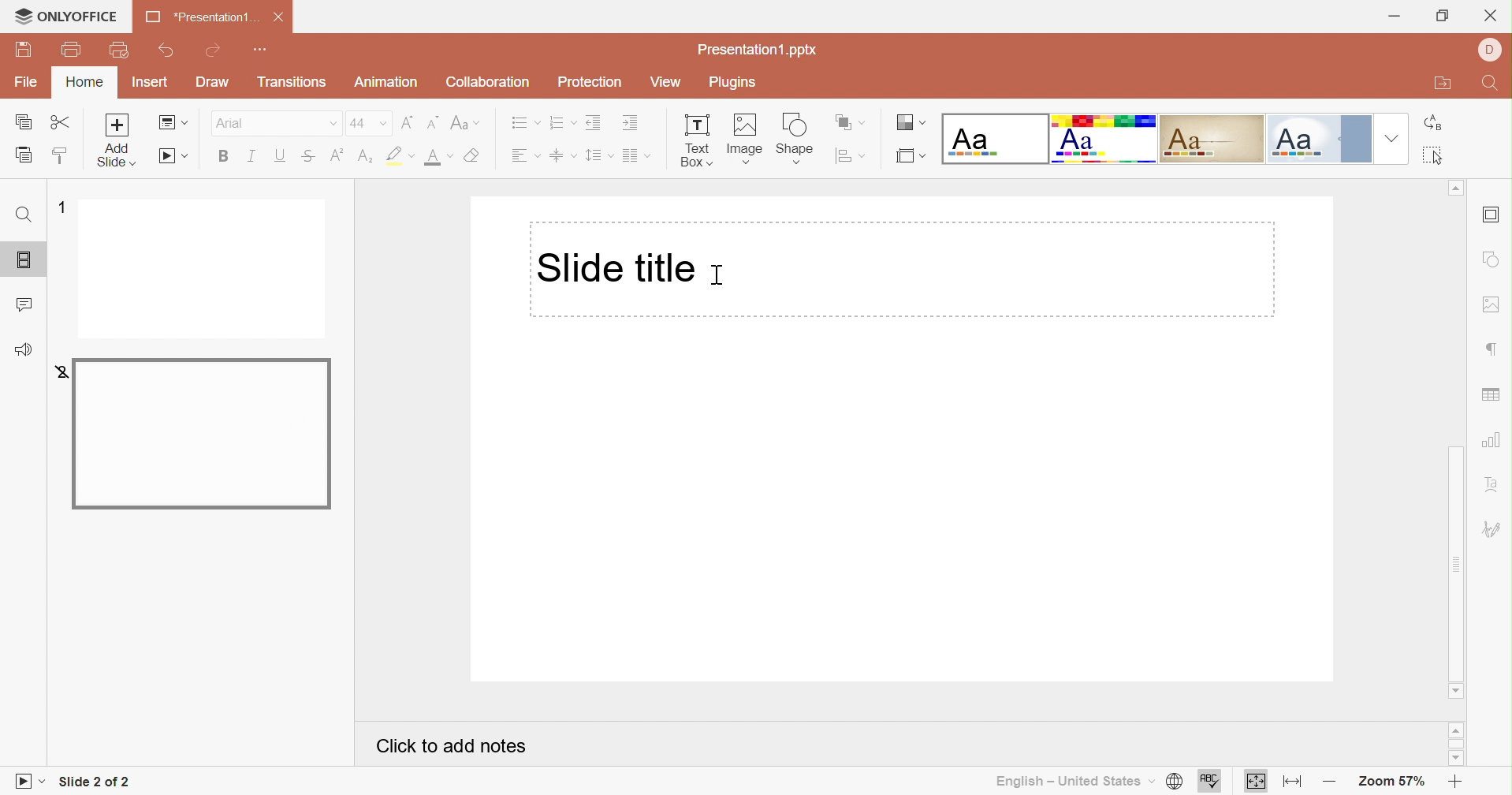  I want to click on Close, so click(283, 17).